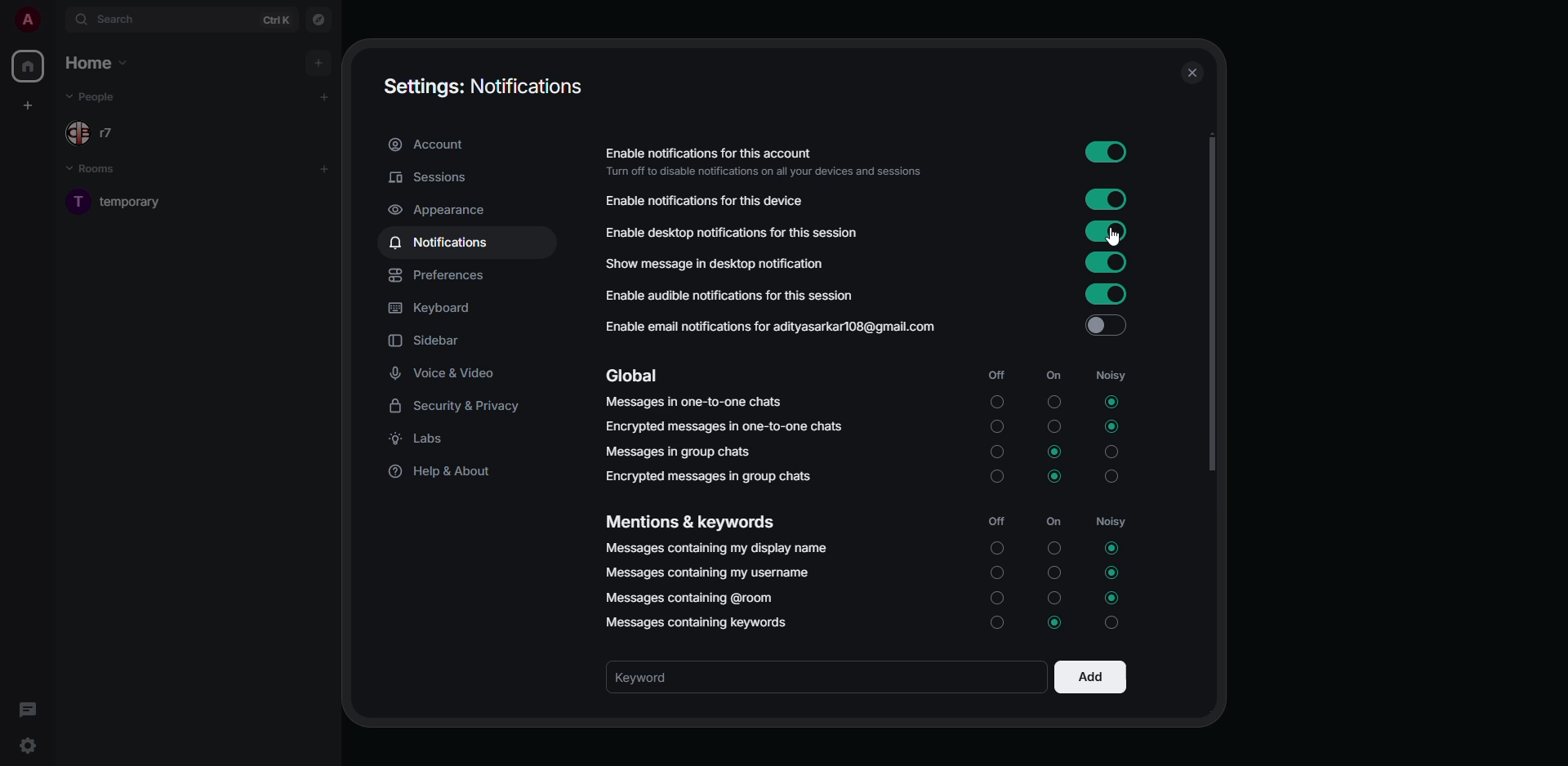 Image resolution: width=1568 pixels, height=766 pixels. Describe the element at coordinates (1110, 202) in the screenshot. I see `click to enable/disable` at that location.